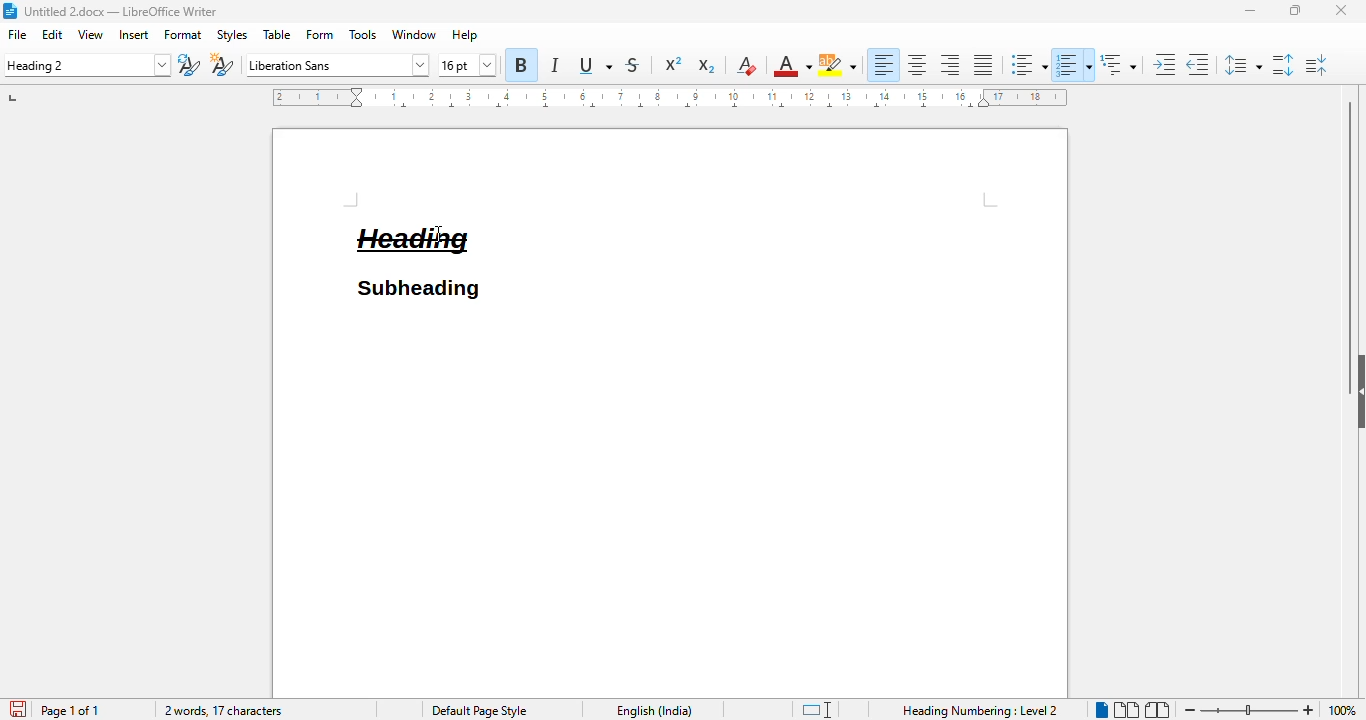  I want to click on font size, so click(468, 66).